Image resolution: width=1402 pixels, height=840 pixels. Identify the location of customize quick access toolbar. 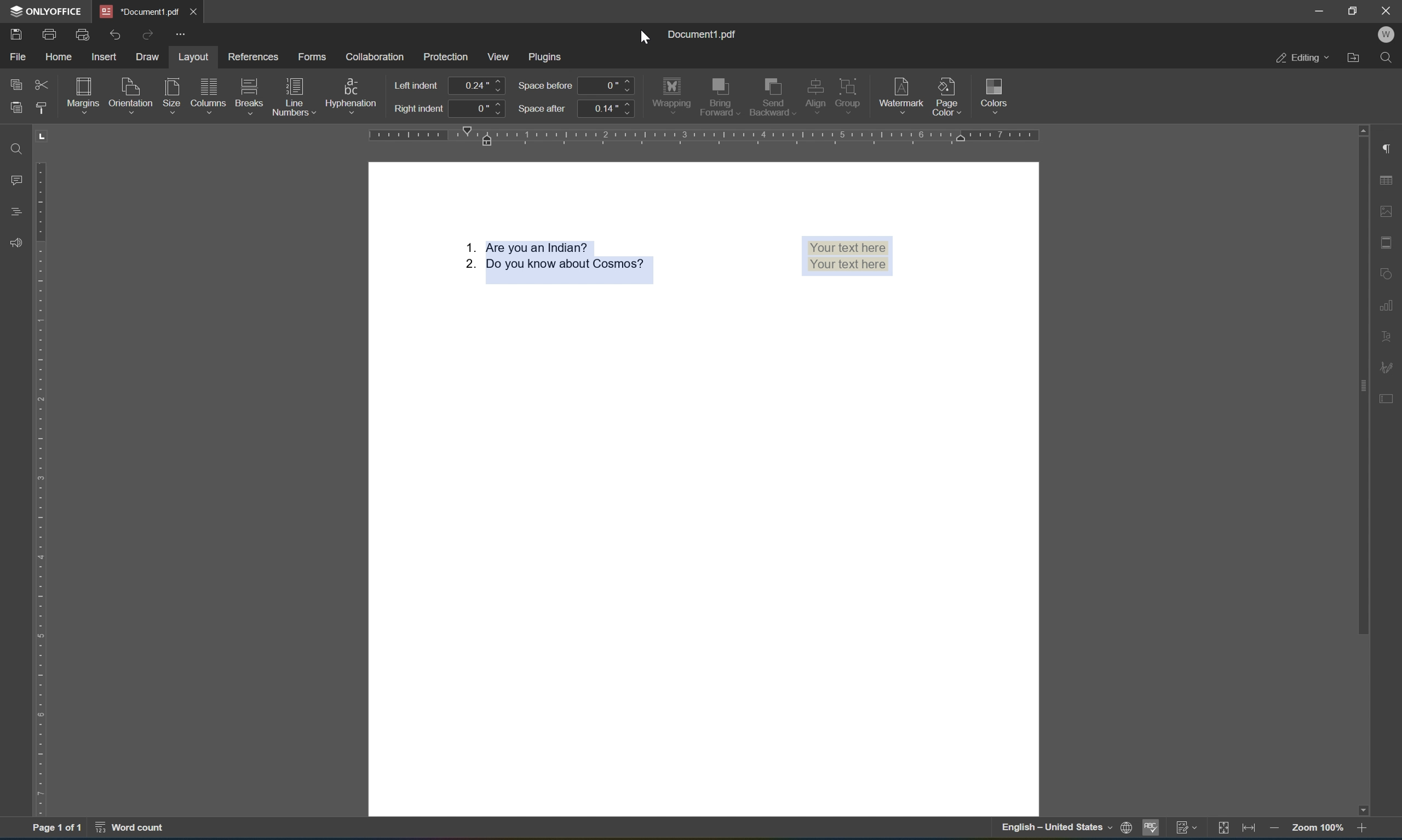
(185, 36).